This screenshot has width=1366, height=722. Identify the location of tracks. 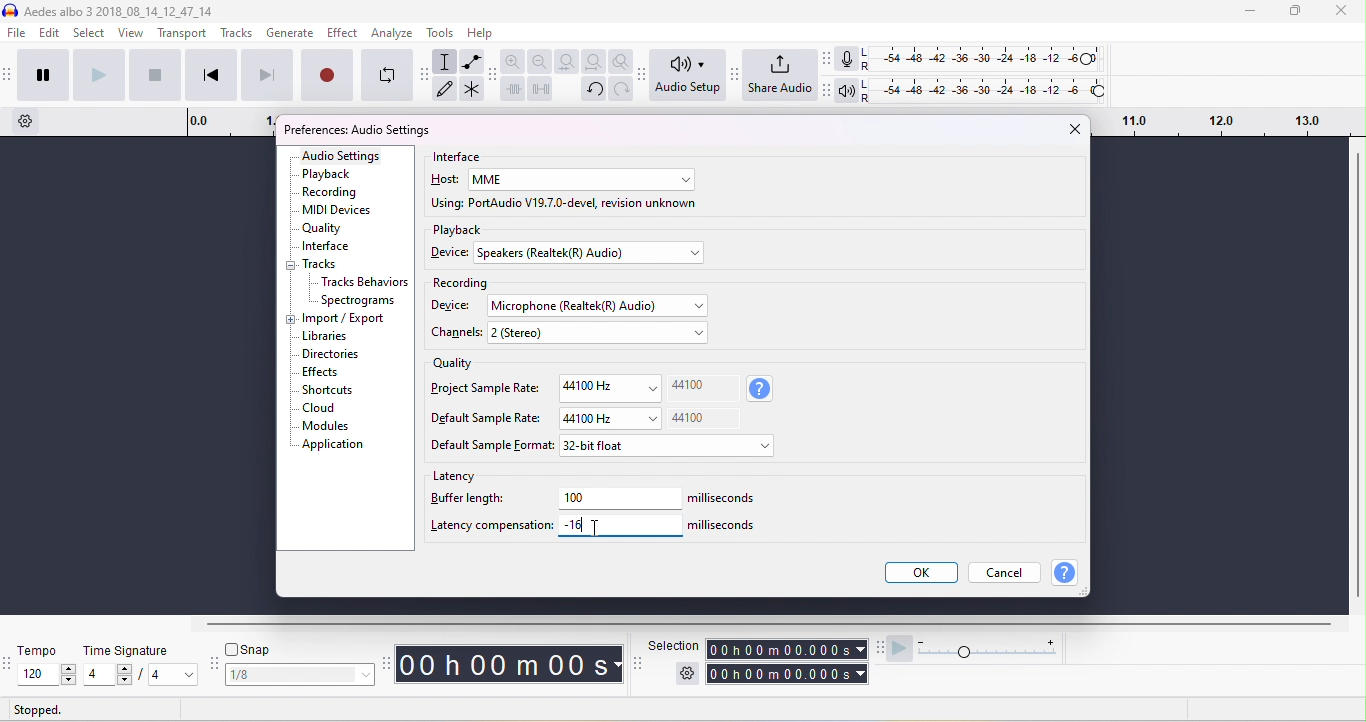
(236, 33).